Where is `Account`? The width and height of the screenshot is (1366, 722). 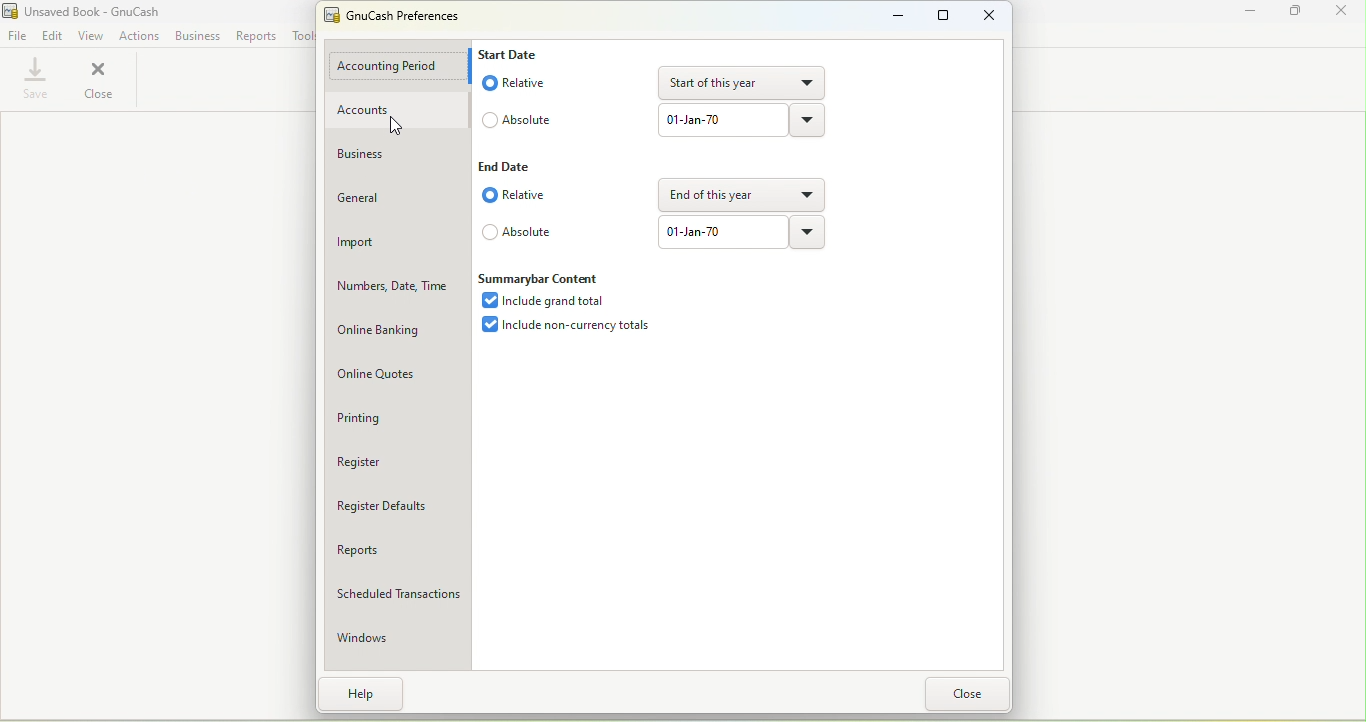
Account is located at coordinates (398, 110).